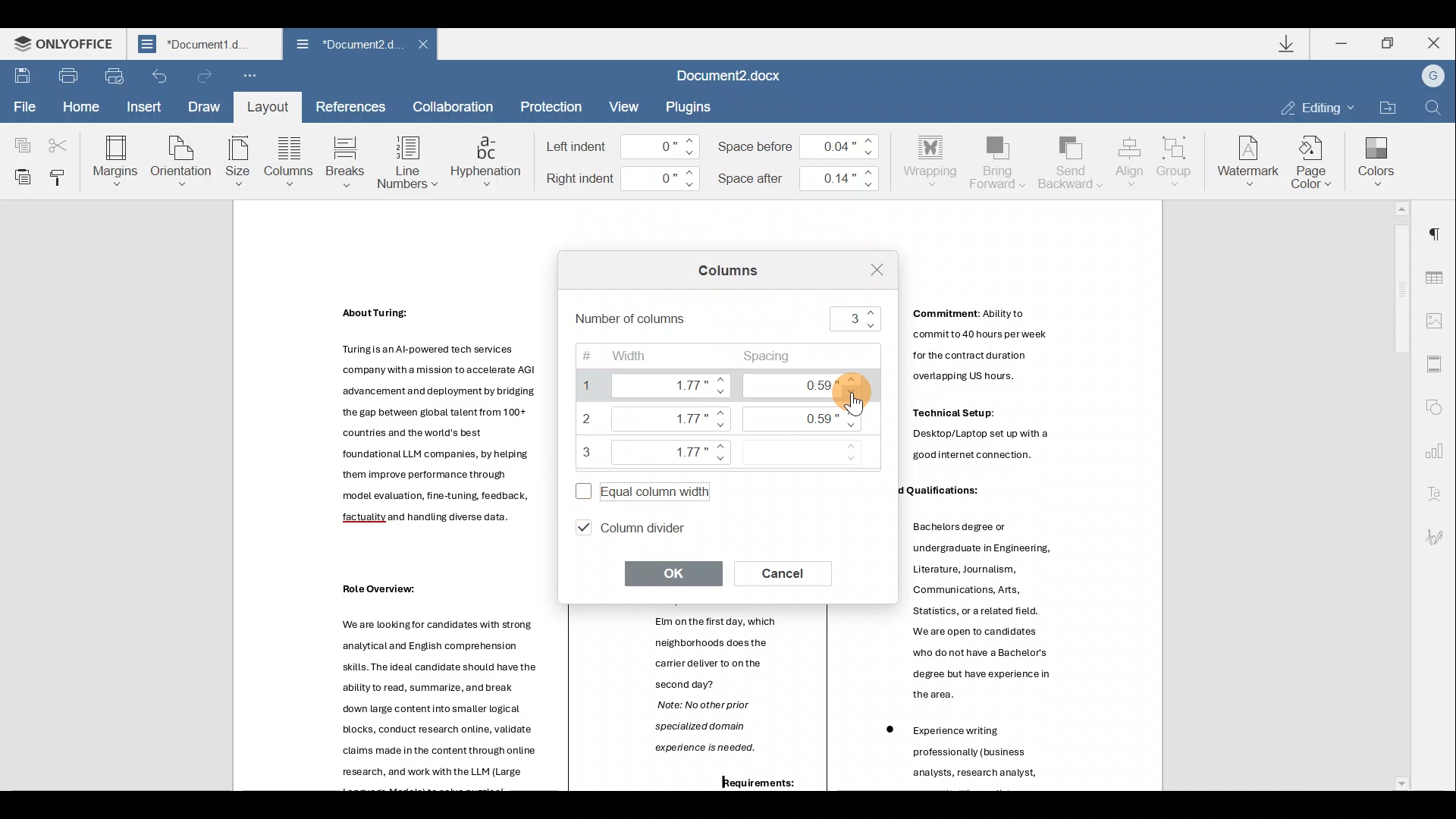  I want to click on Equal column width, so click(637, 487).